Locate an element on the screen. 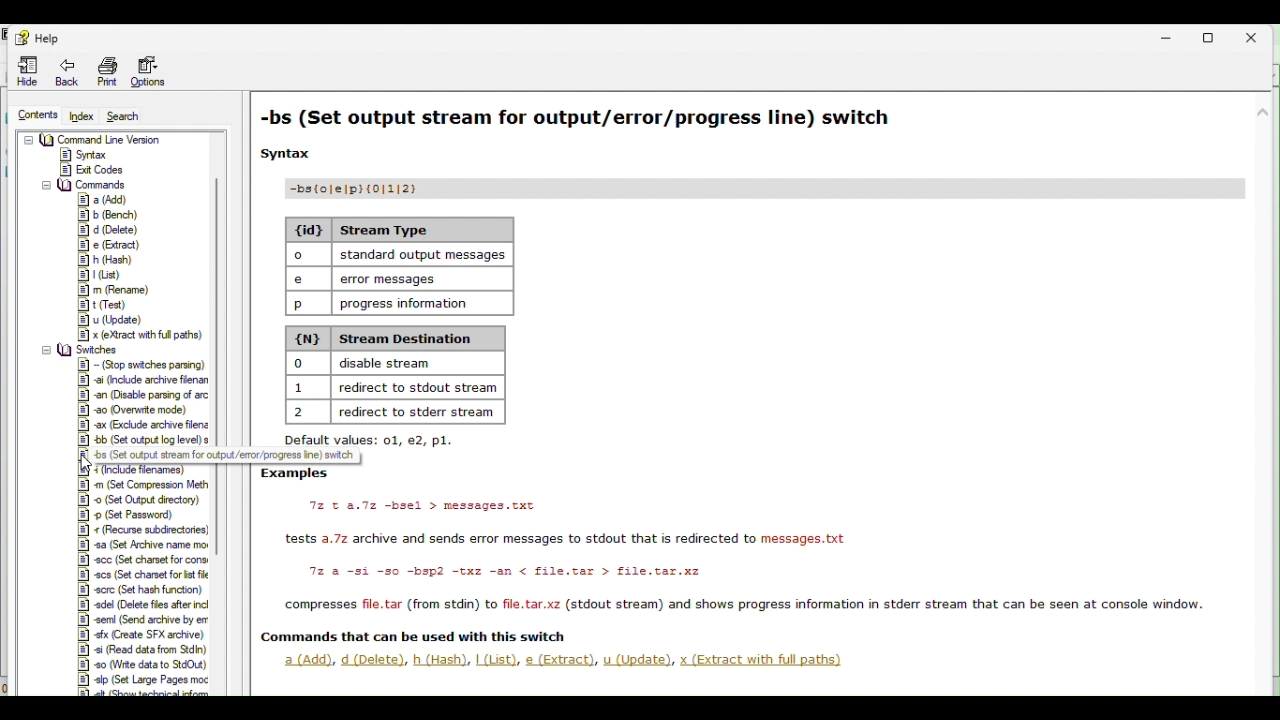 The height and width of the screenshot is (720, 1280). collapse is located at coordinates (43, 350).